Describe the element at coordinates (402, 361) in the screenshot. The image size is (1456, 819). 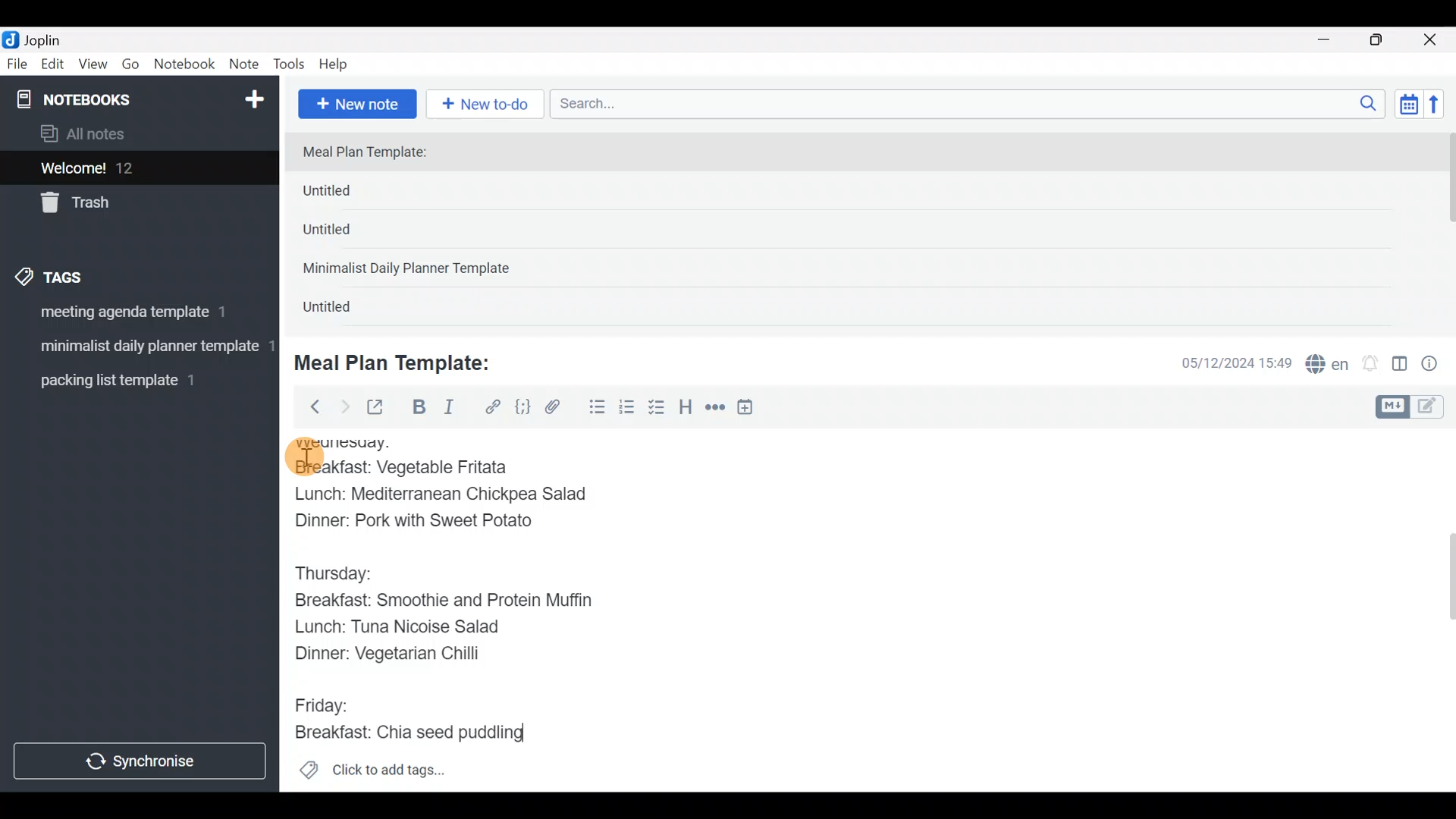
I see `Meal Plan Template:` at that location.